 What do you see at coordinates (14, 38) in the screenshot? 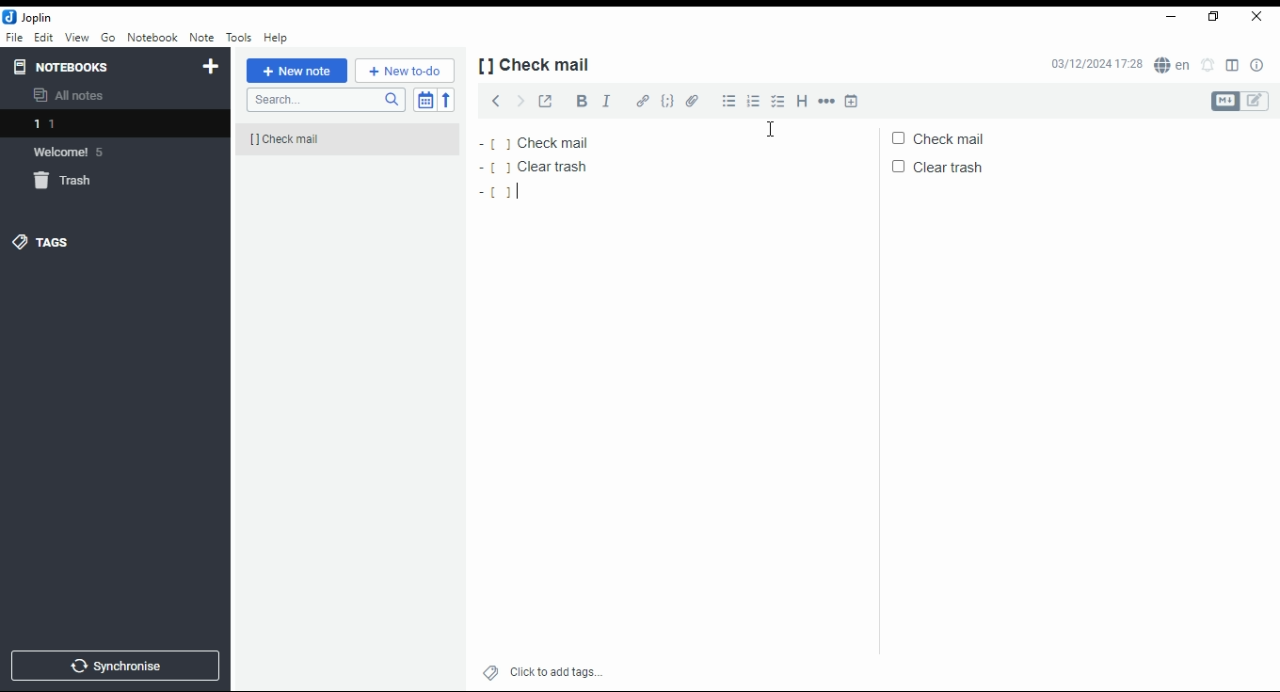
I see `file` at bounding box center [14, 38].